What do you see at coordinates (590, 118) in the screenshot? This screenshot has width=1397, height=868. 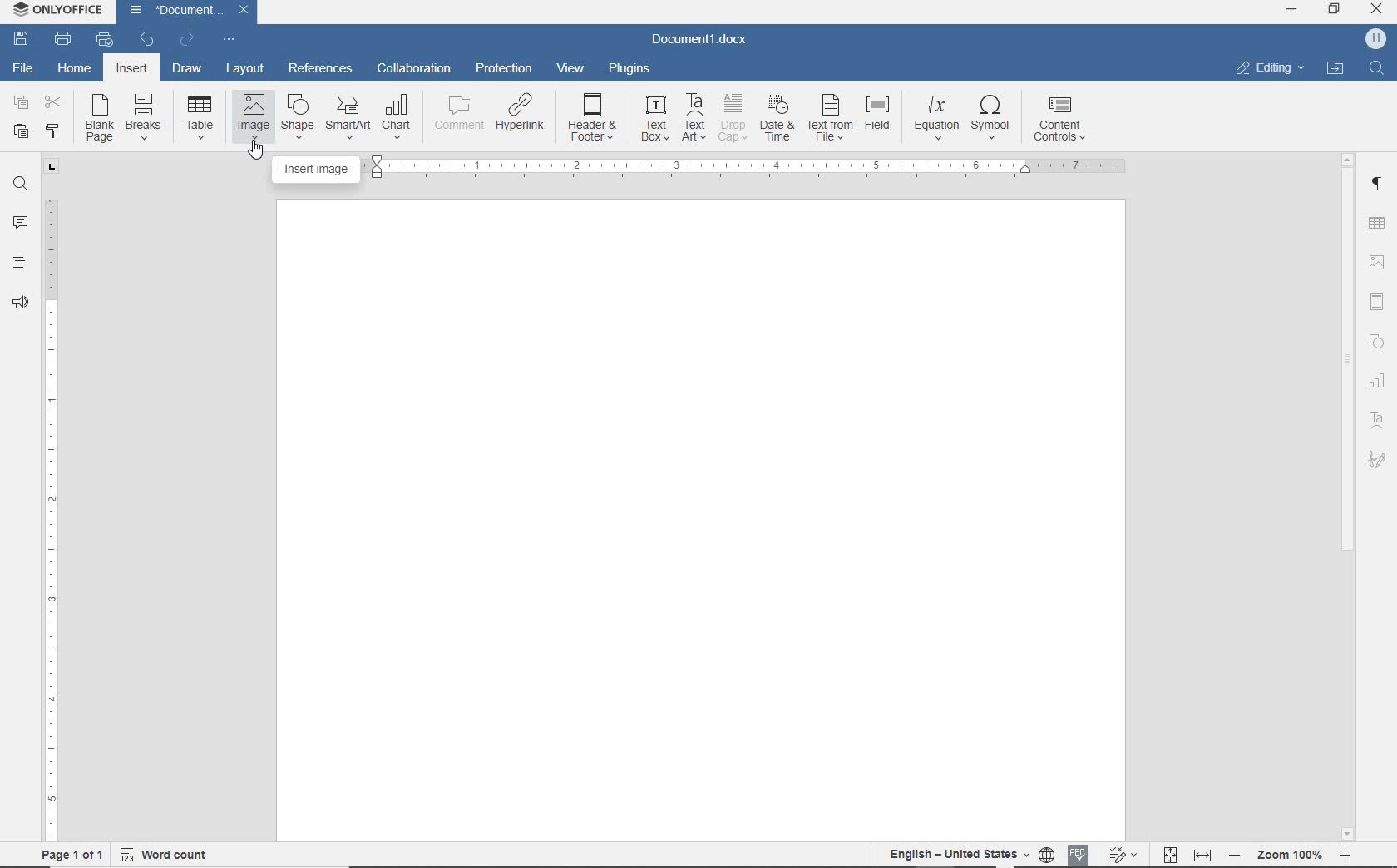 I see `header&footer` at bounding box center [590, 118].